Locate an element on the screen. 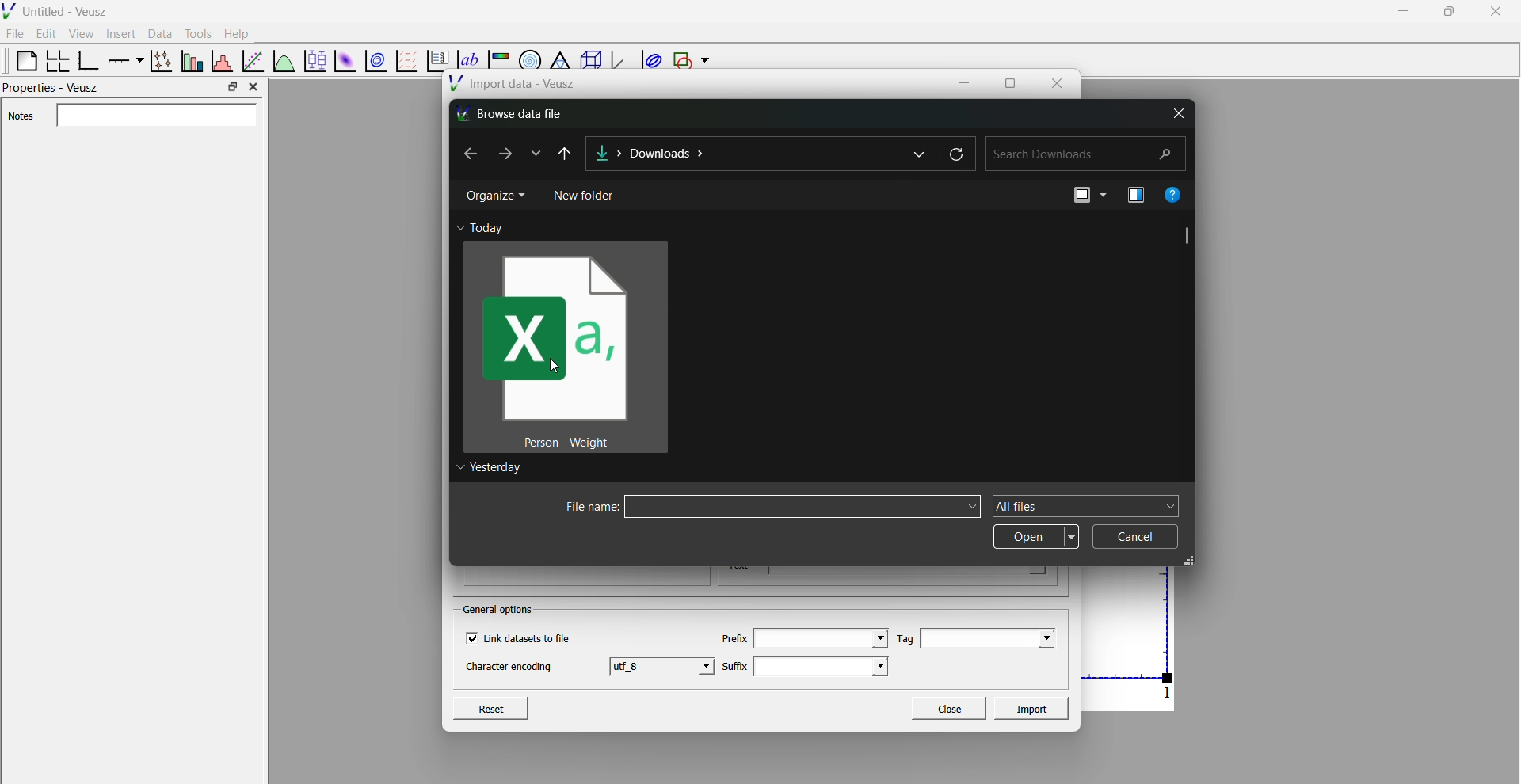  Tag - dropdown is located at coordinates (995, 637).